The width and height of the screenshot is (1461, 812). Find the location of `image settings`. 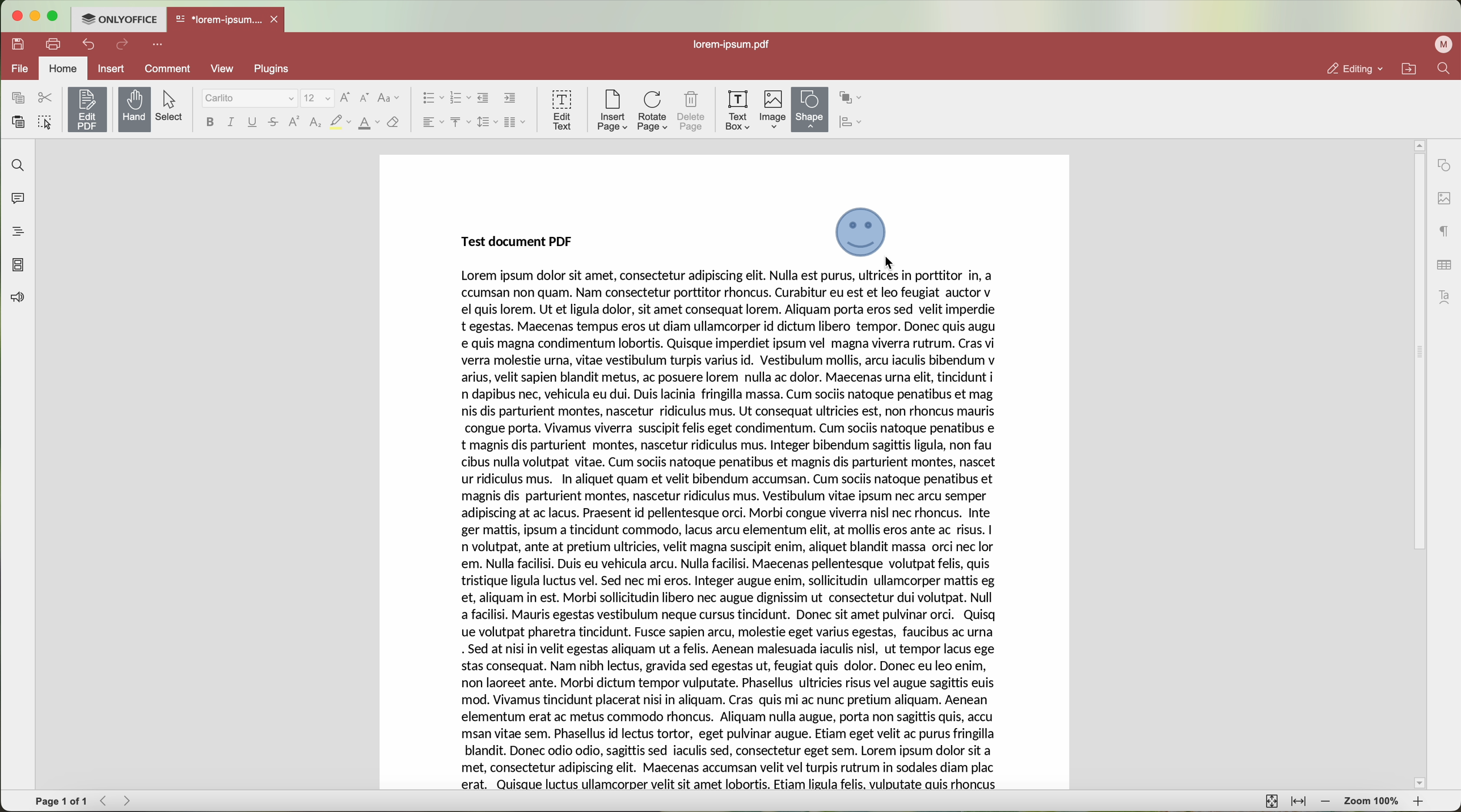

image settings is located at coordinates (1443, 198).